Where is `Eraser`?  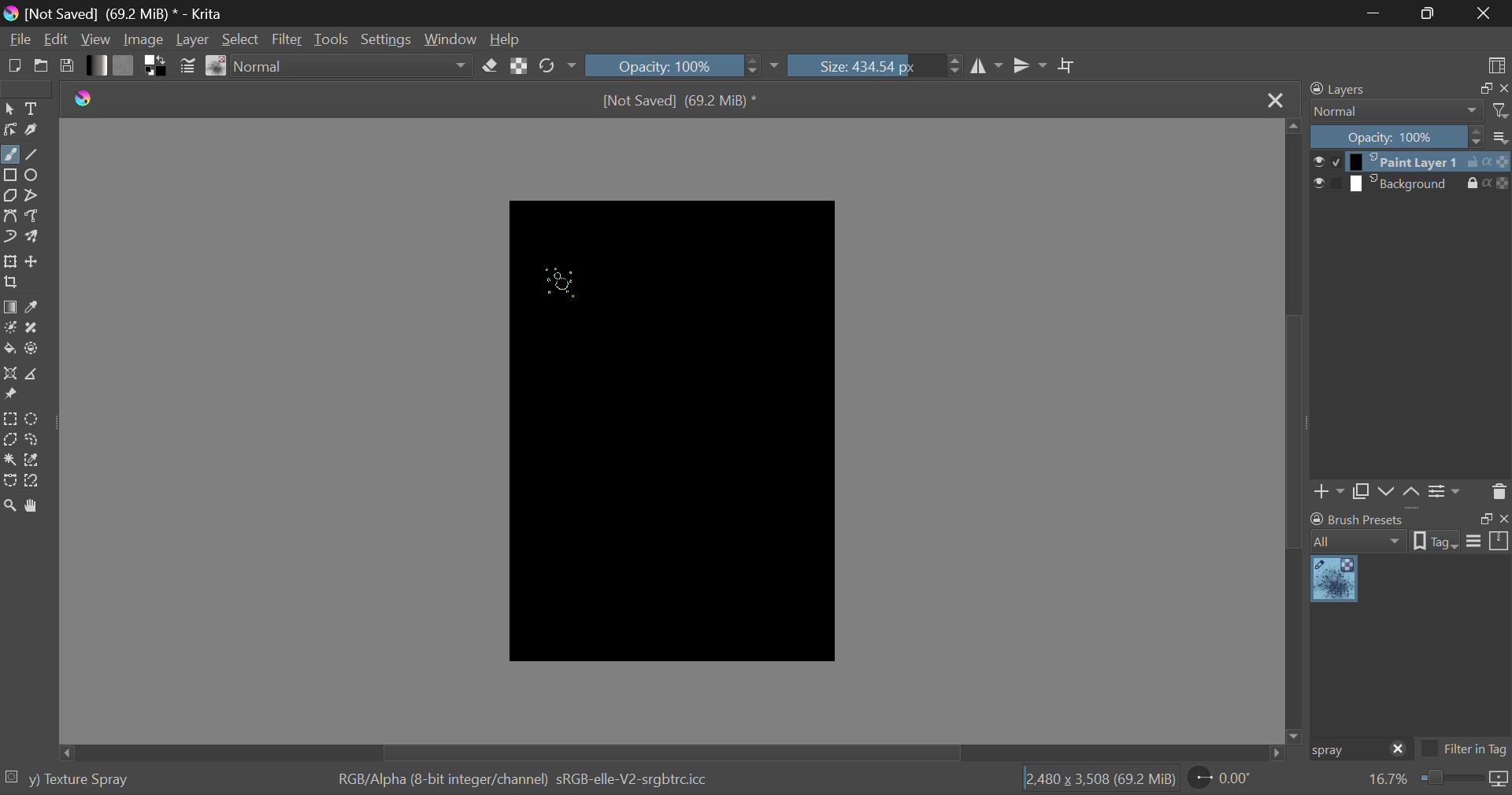 Eraser is located at coordinates (490, 66).